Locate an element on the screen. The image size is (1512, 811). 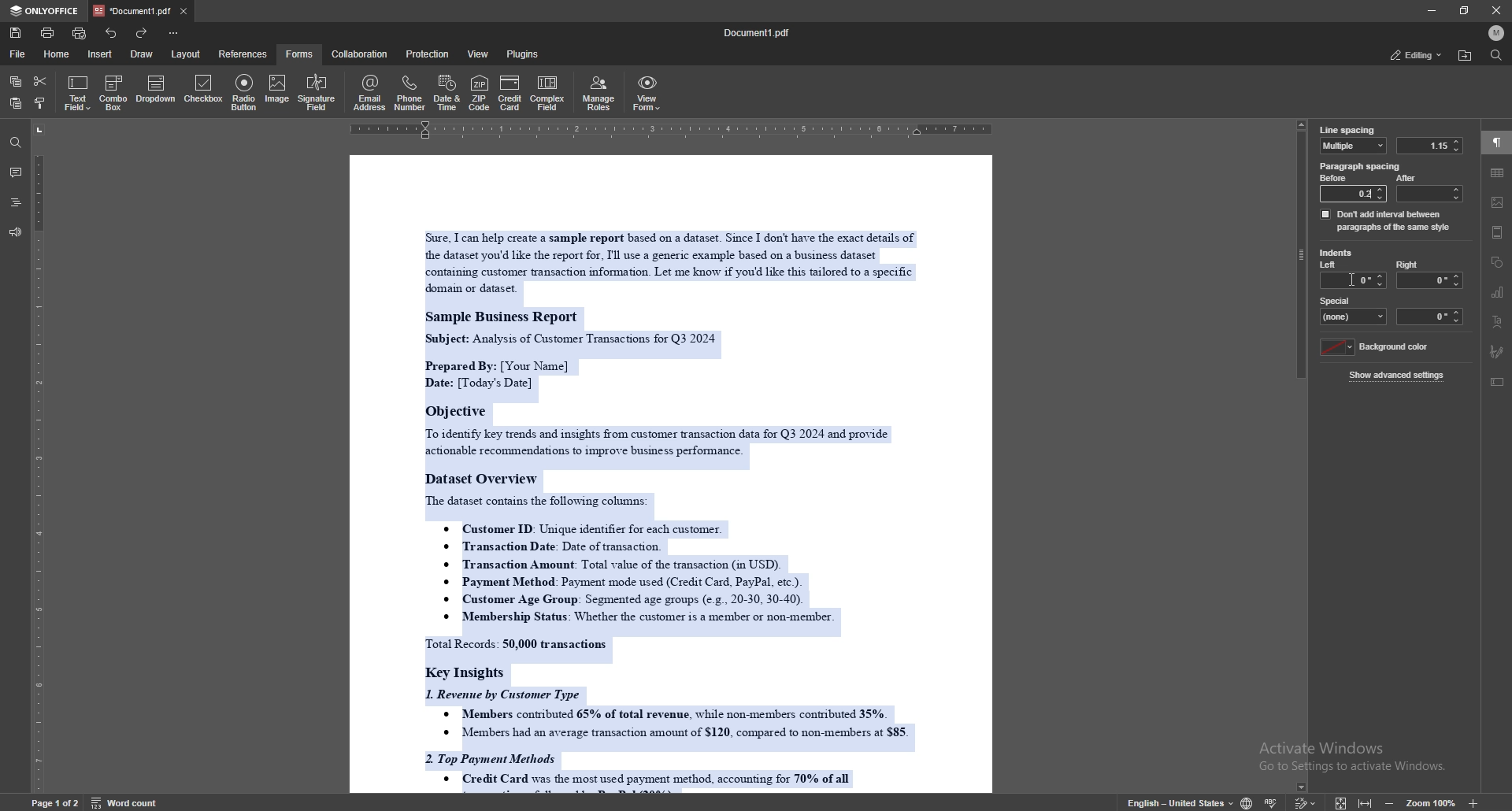
page is located at coordinates (55, 802).